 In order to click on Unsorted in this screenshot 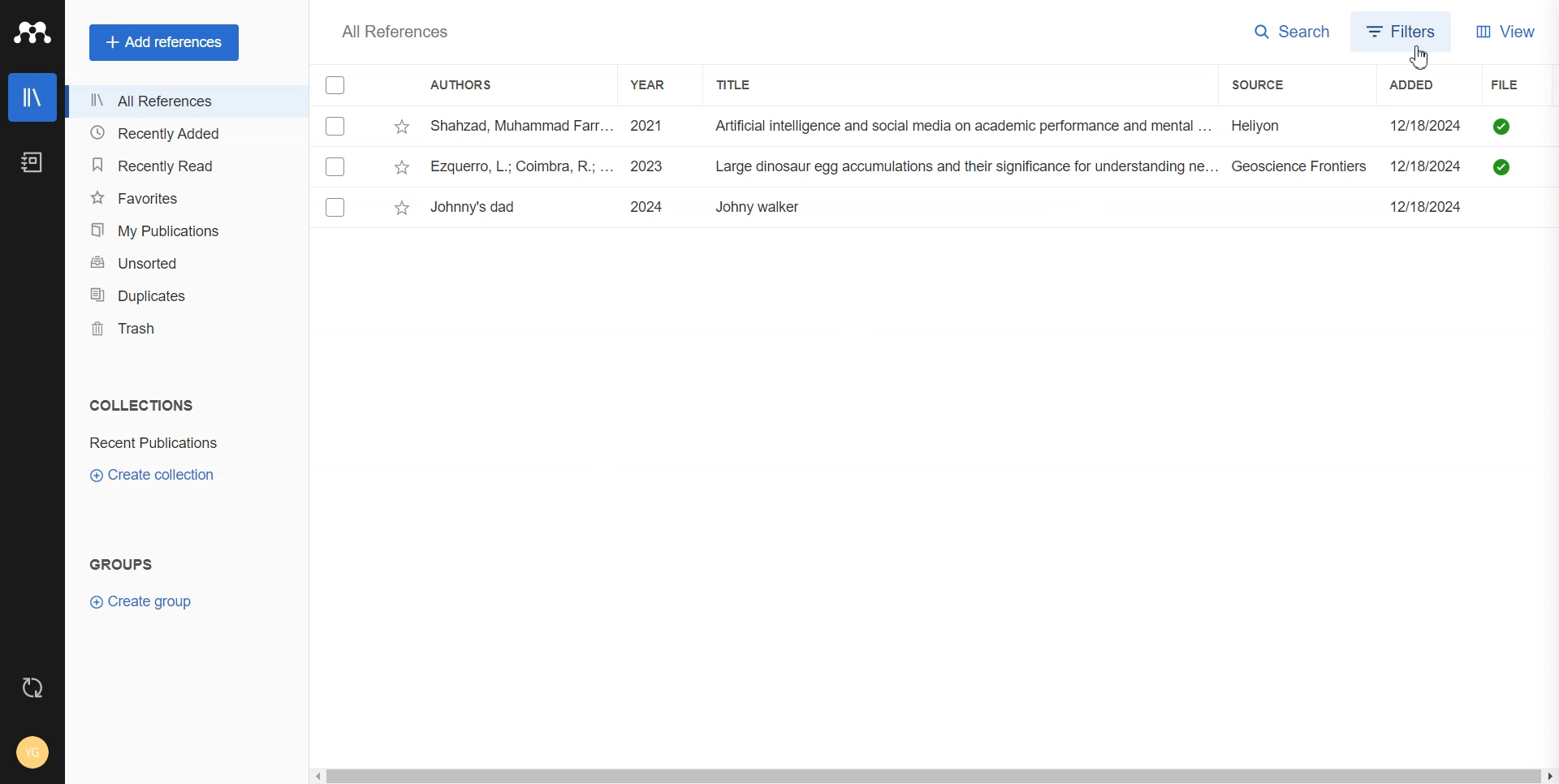, I will do `click(181, 263)`.